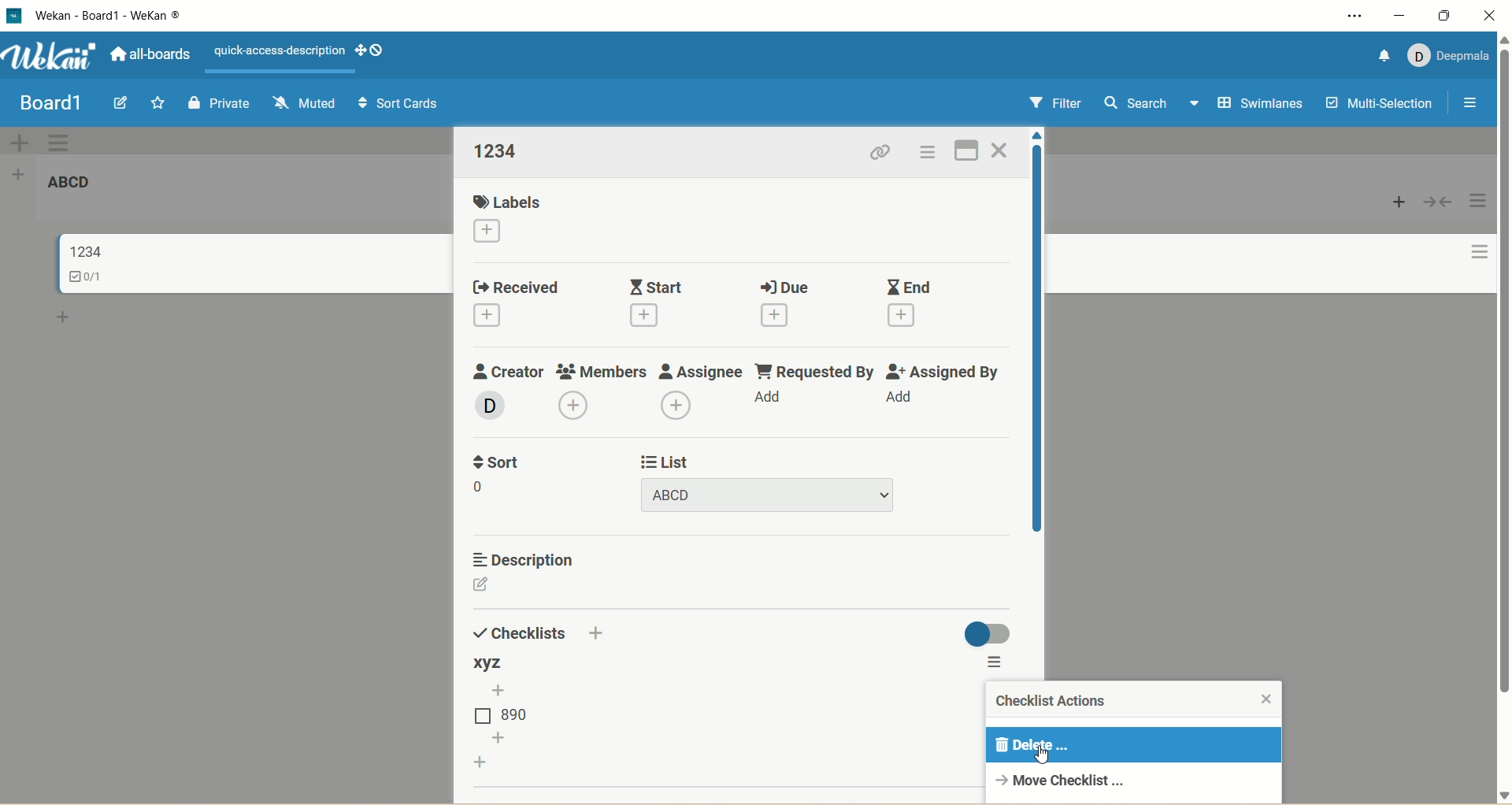  Describe the element at coordinates (1043, 755) in the screenshot. I see `cursor` at that location.